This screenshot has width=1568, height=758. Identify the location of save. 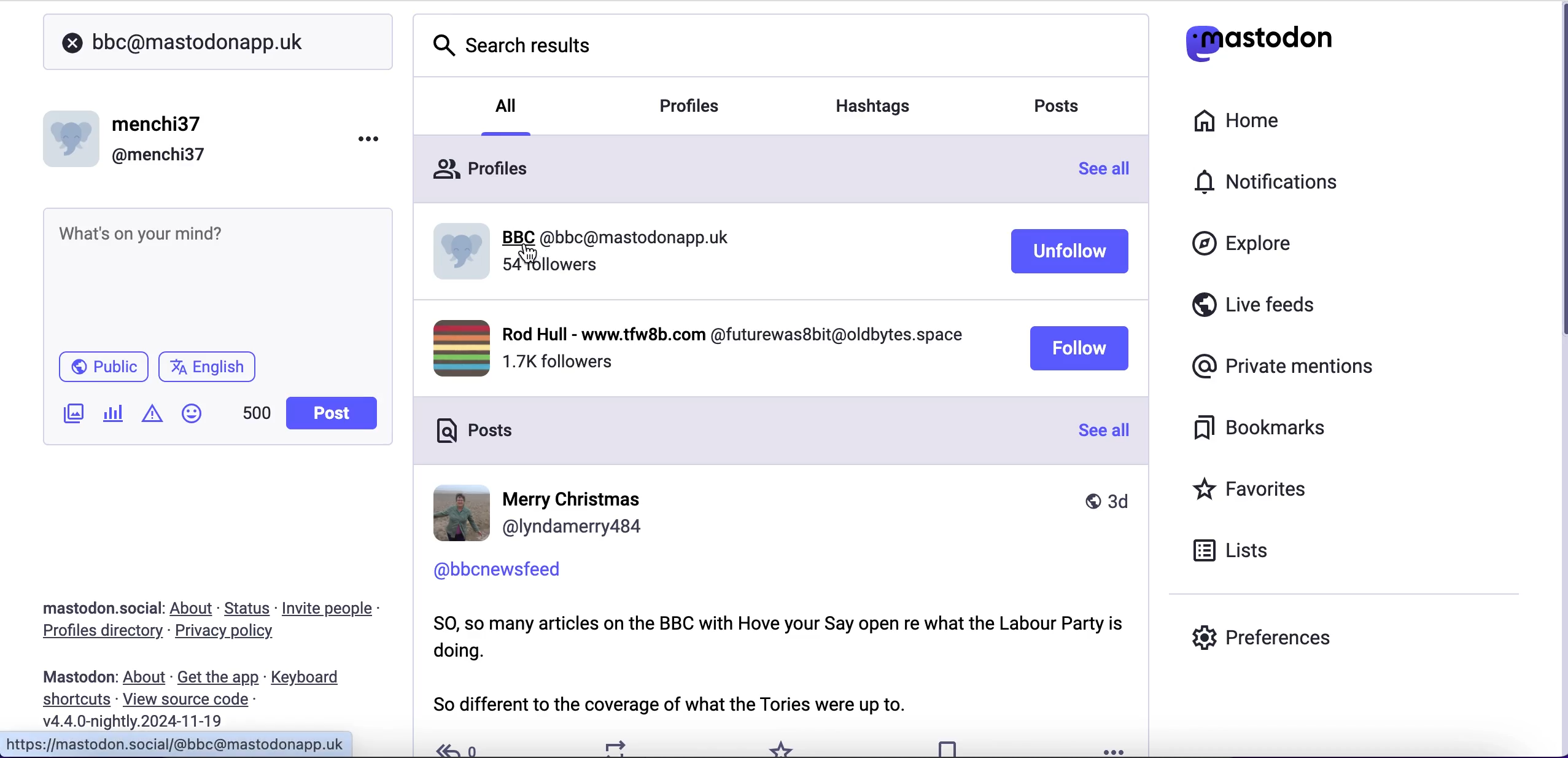
(947, 747).